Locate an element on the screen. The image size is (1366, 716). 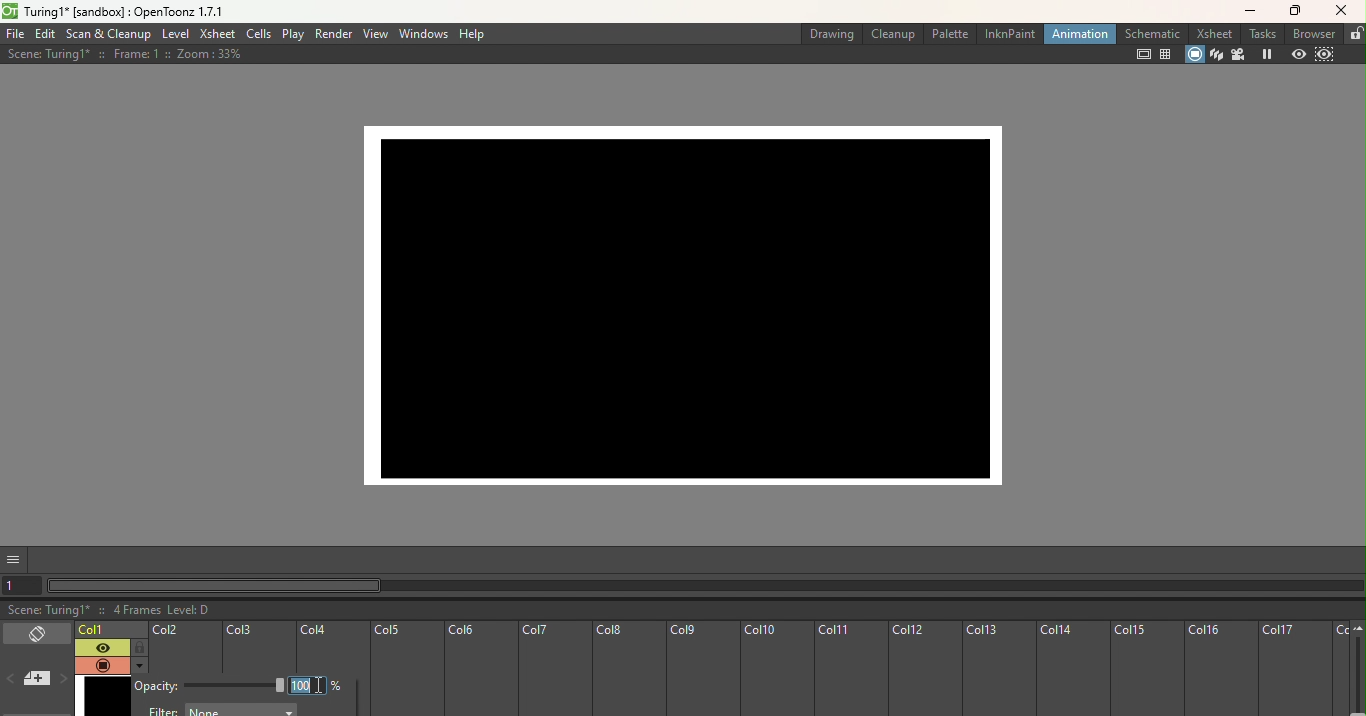
Lock toggle is located at coordinates (137, 647).